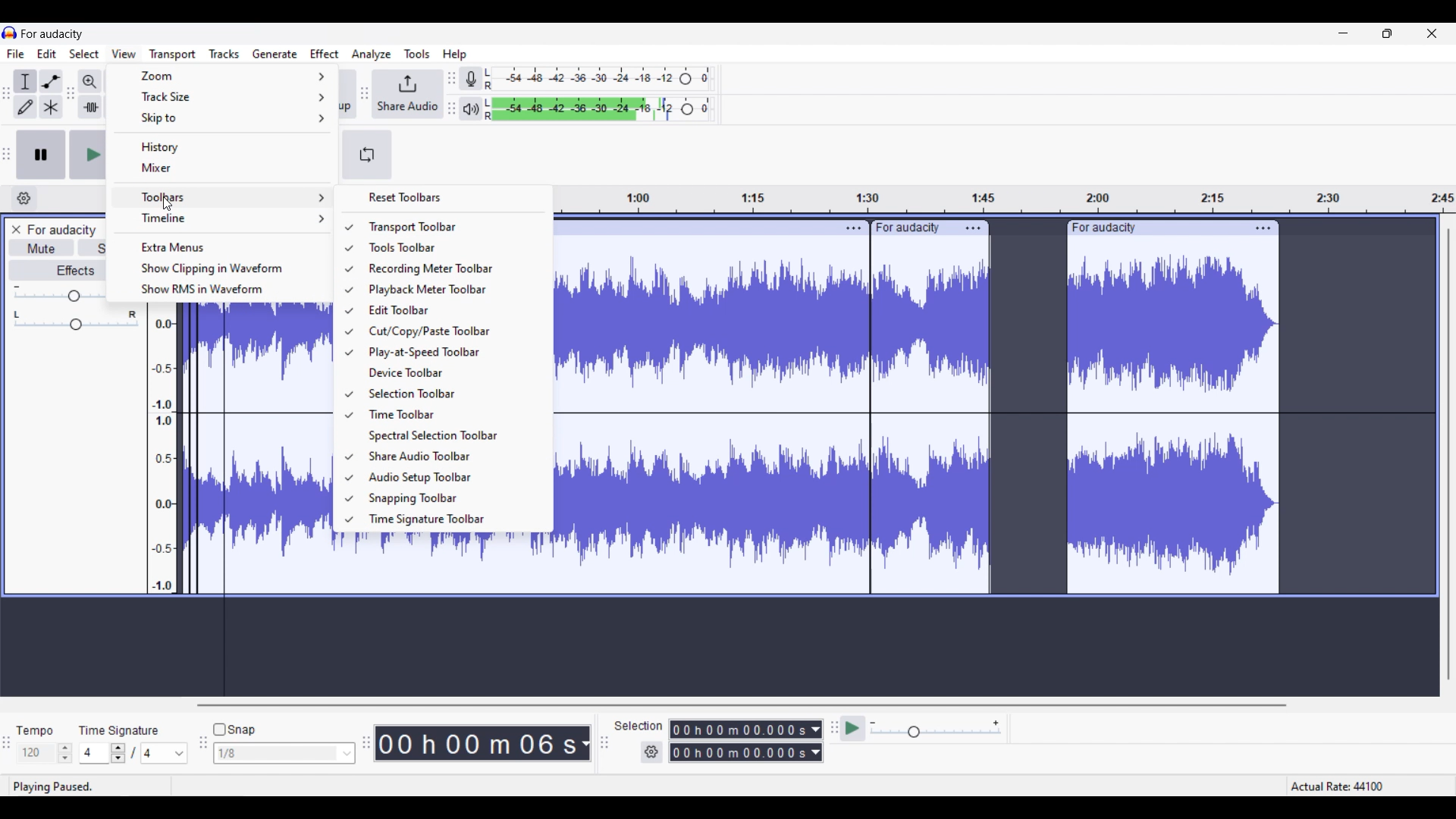 The width and height of the screenshot is (1456, 819). What do you see at coordinates (222, 197) in the screenshot?
I see `Toolbar options` at bounding box center [222, 197].